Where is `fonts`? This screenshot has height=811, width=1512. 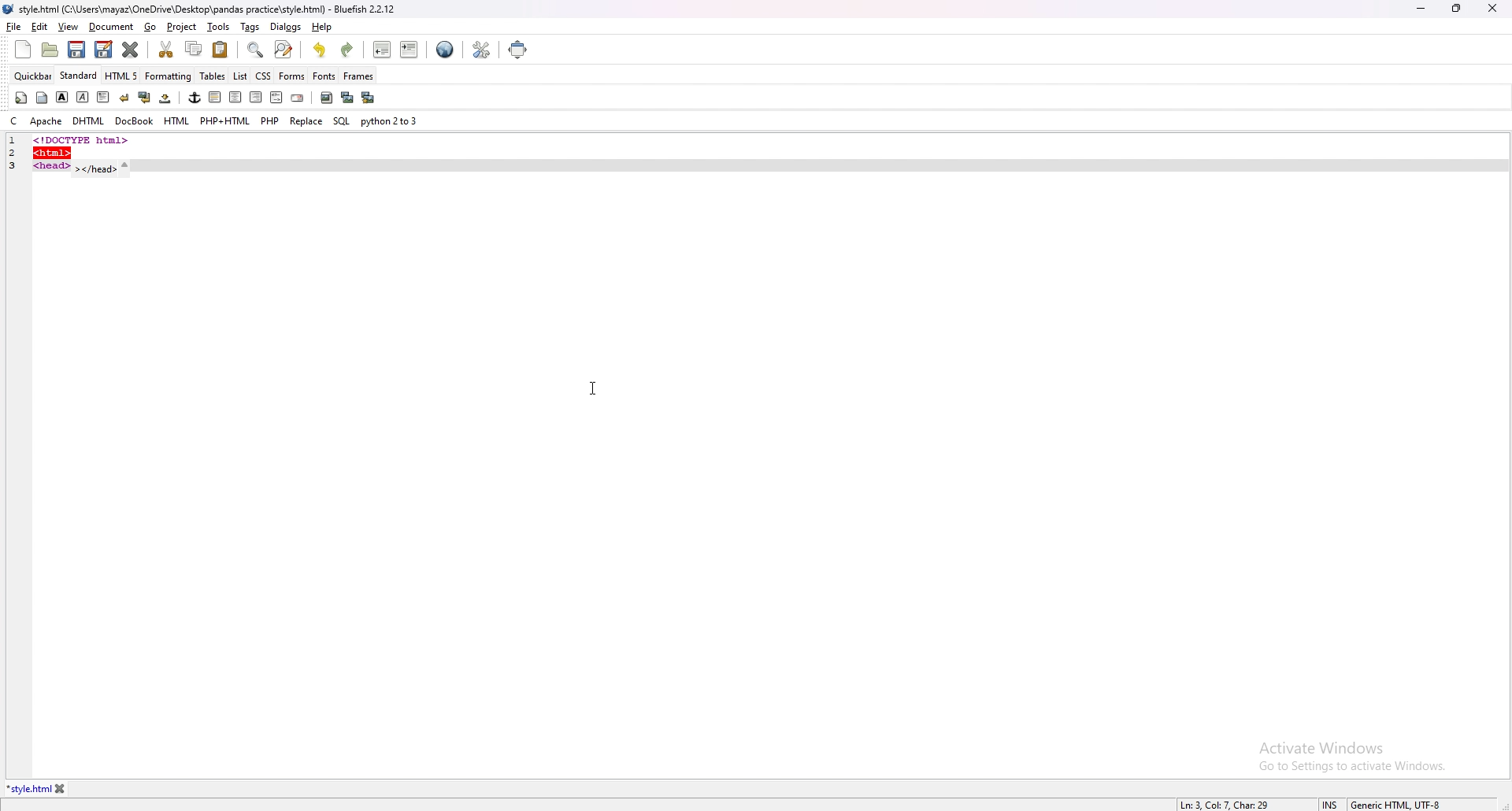 fonts is located at coordinates (324, 76).